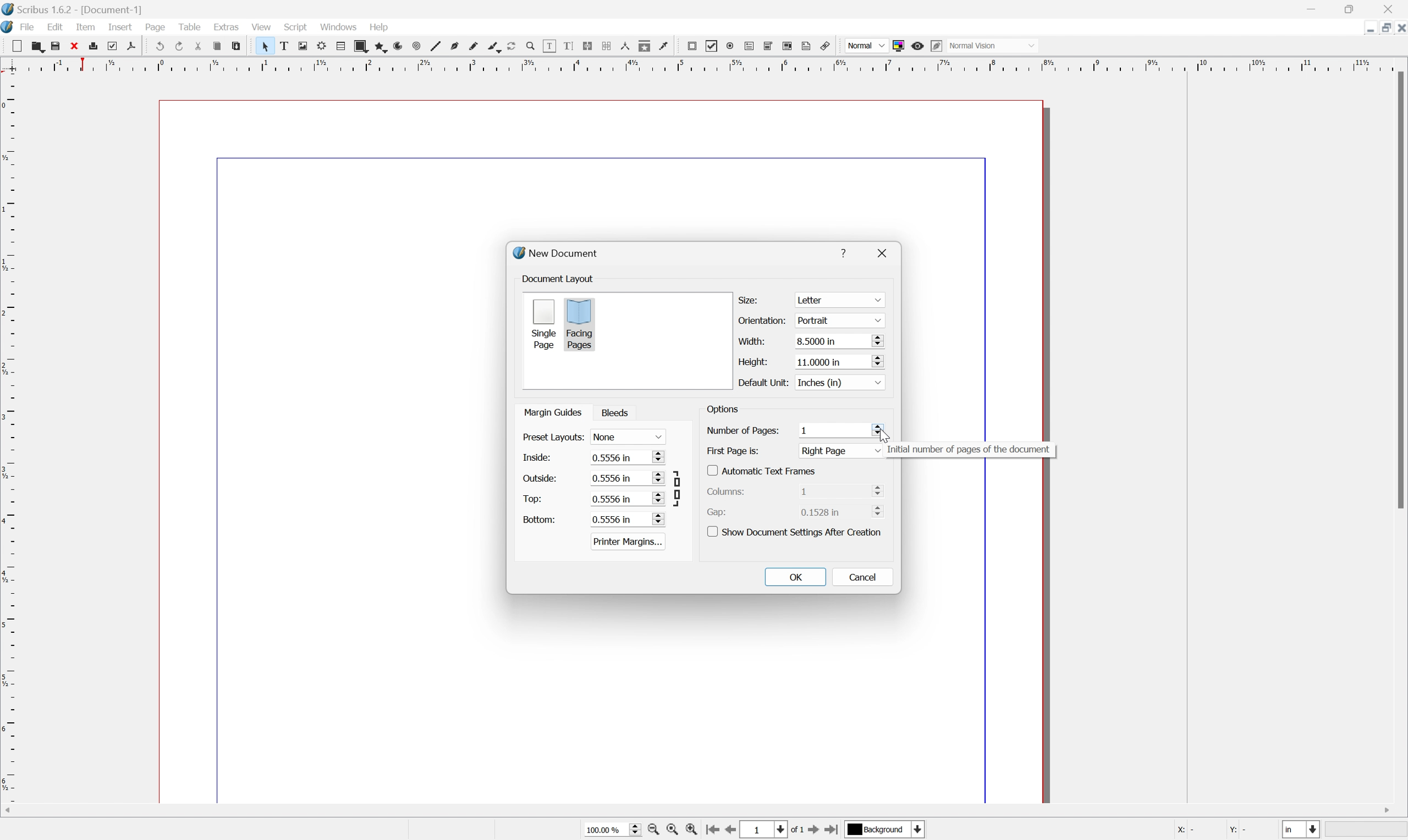 The width and height of the screenshot is (1408, 840). What do you see at coordinates (627, 478) in the screenshot?
I see `0.5556 in` at bounding box center [627, 478].